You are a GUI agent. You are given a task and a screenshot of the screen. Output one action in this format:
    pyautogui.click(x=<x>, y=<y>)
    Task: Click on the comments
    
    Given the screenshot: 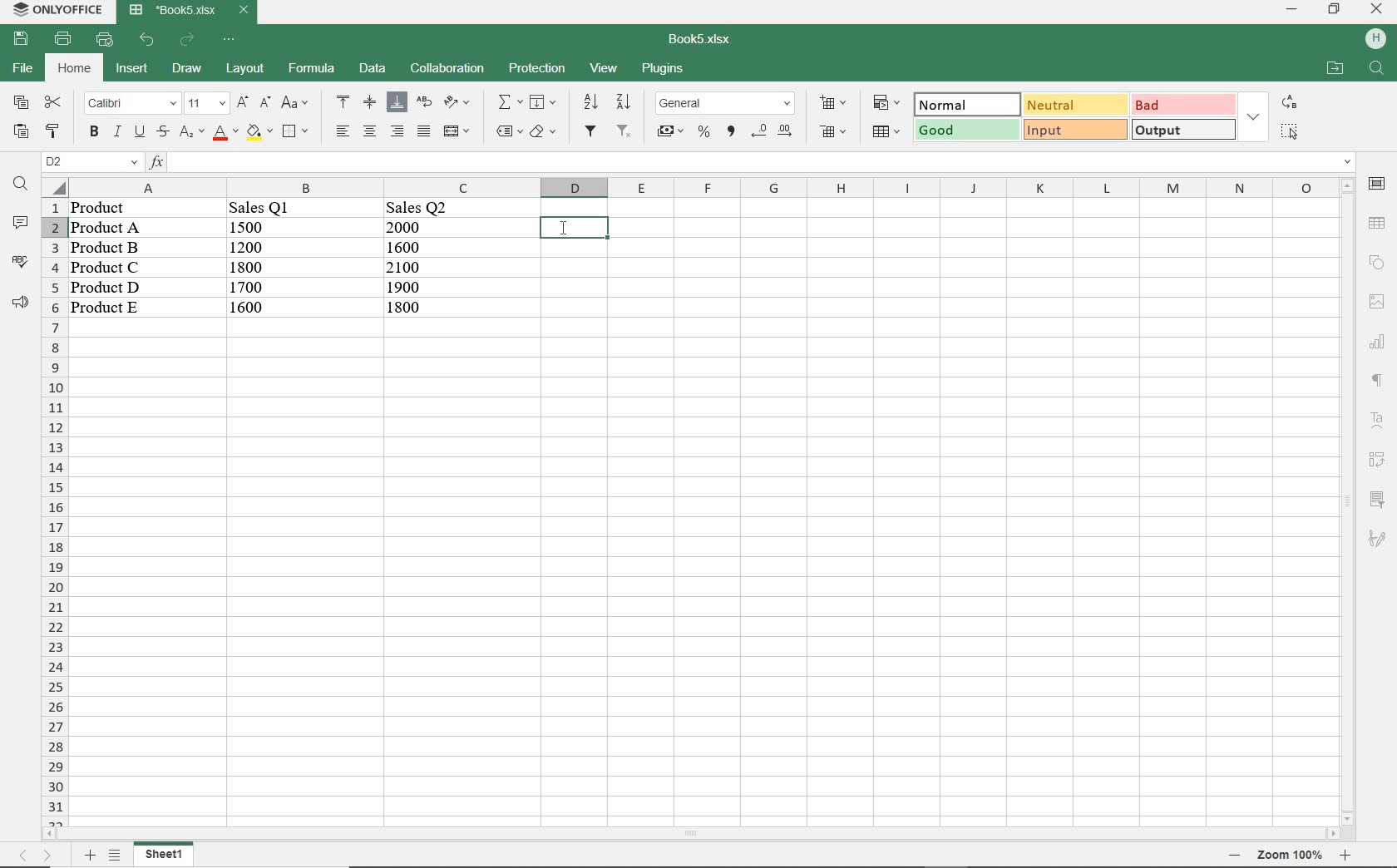 What is the action you would take?
    pyautogui.click(x=19, y=223)
    